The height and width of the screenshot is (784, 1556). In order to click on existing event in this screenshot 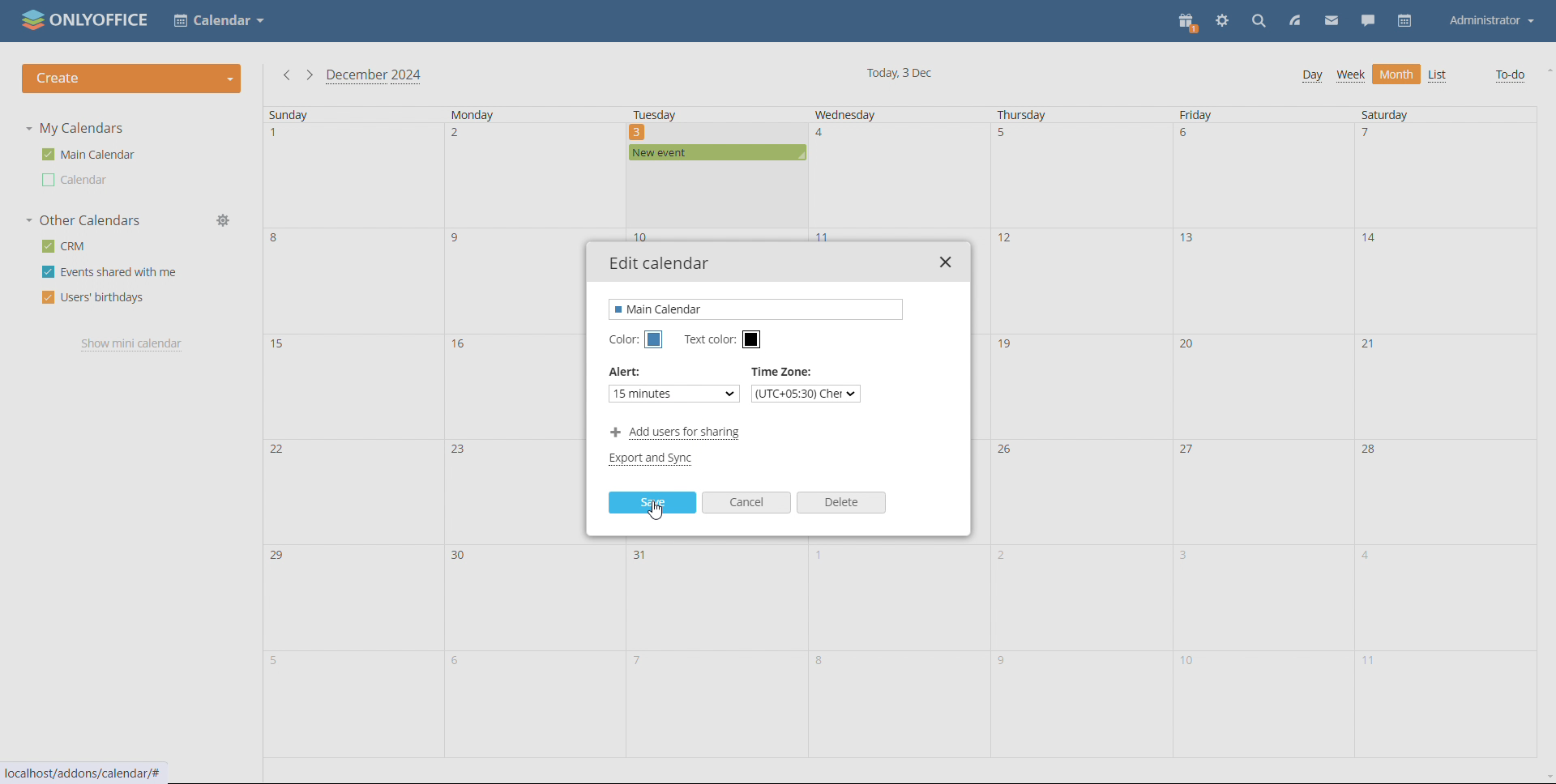, I will do `click(717, 153)`.